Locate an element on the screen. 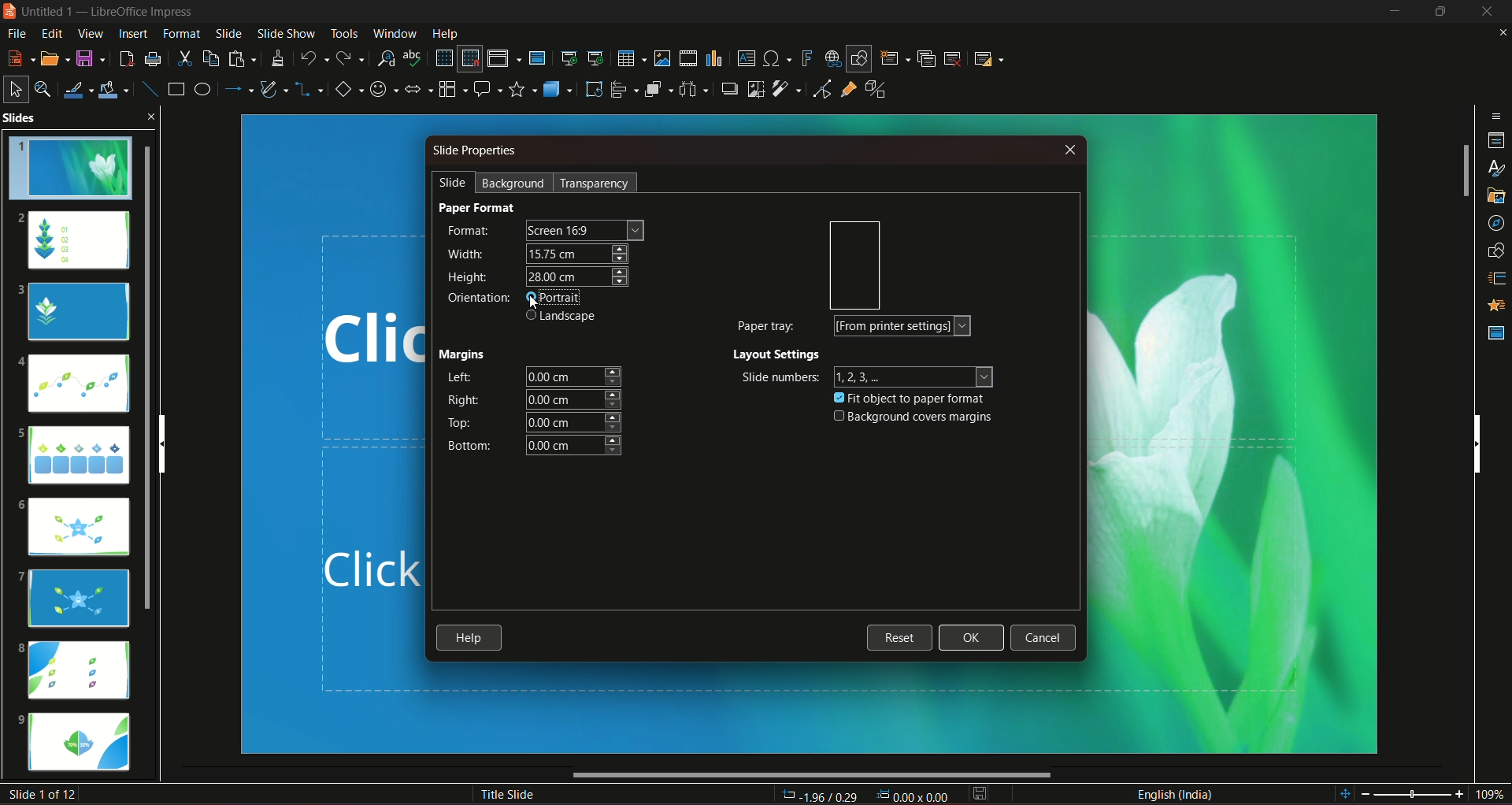  slide 6 is located at coordinates (79, 529).